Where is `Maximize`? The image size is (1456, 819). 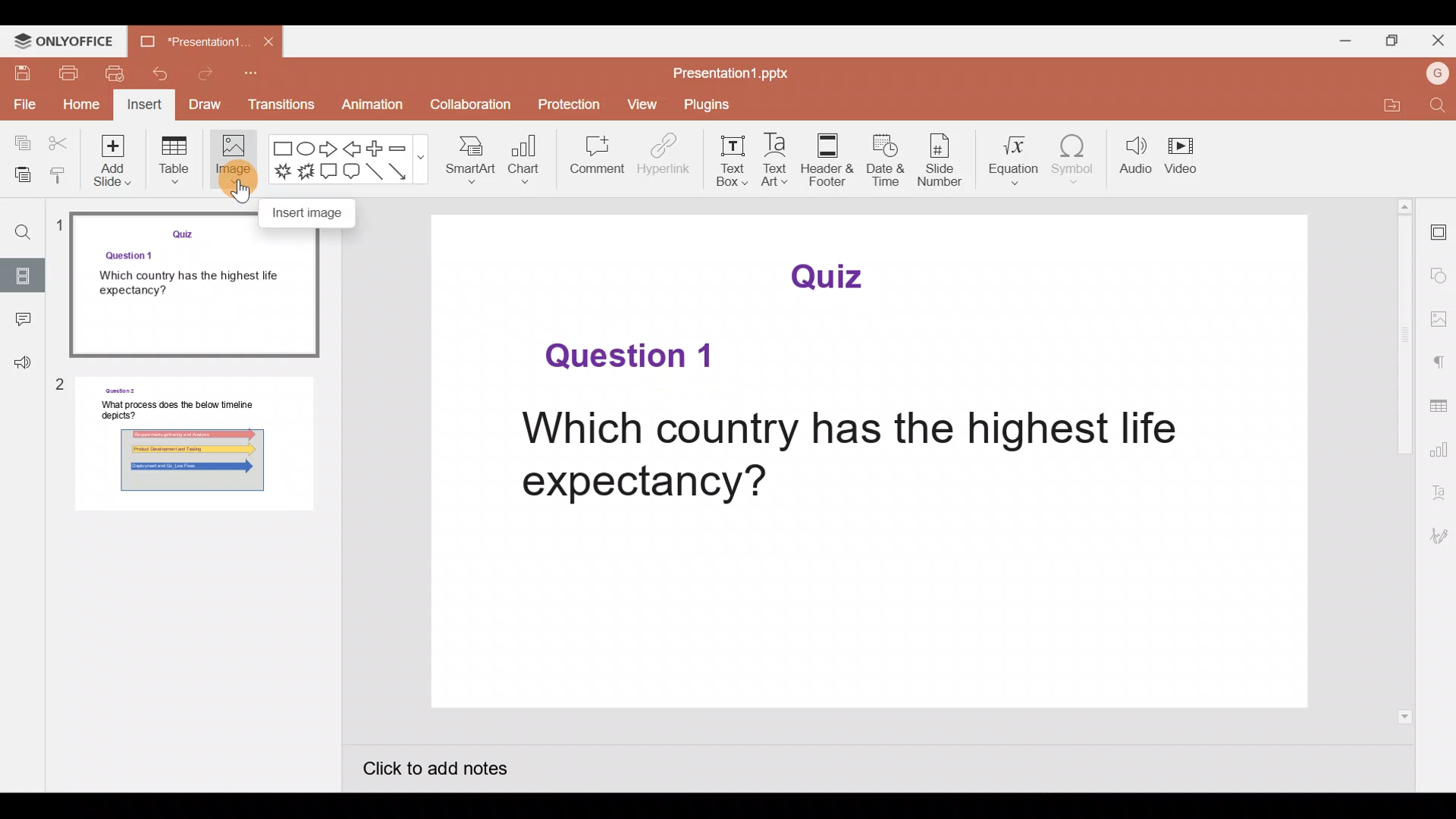 Maximize is located at coordinates (1392, 39).